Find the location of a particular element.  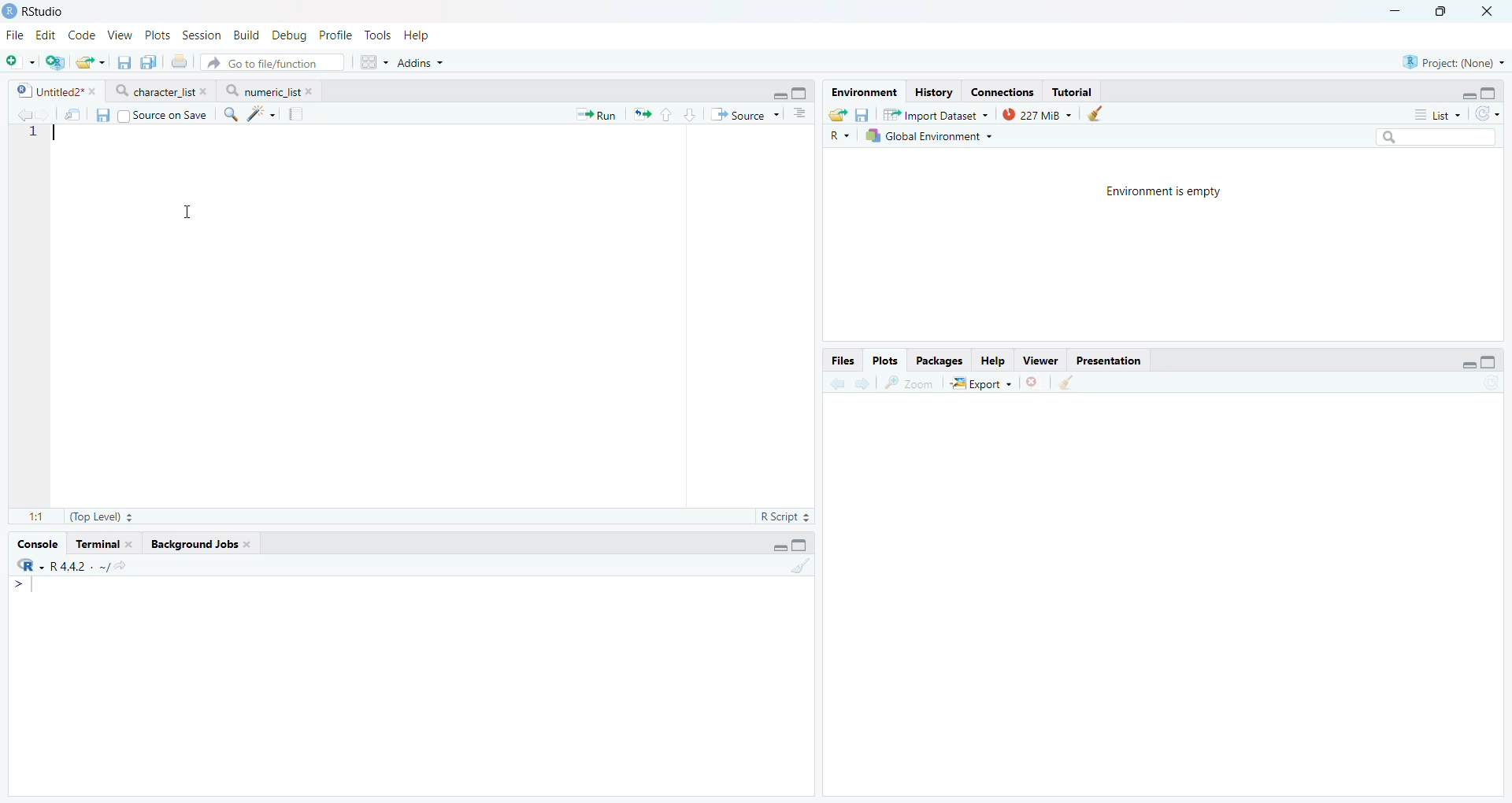

Re-run previous code section is located at coordinates (641, 115).